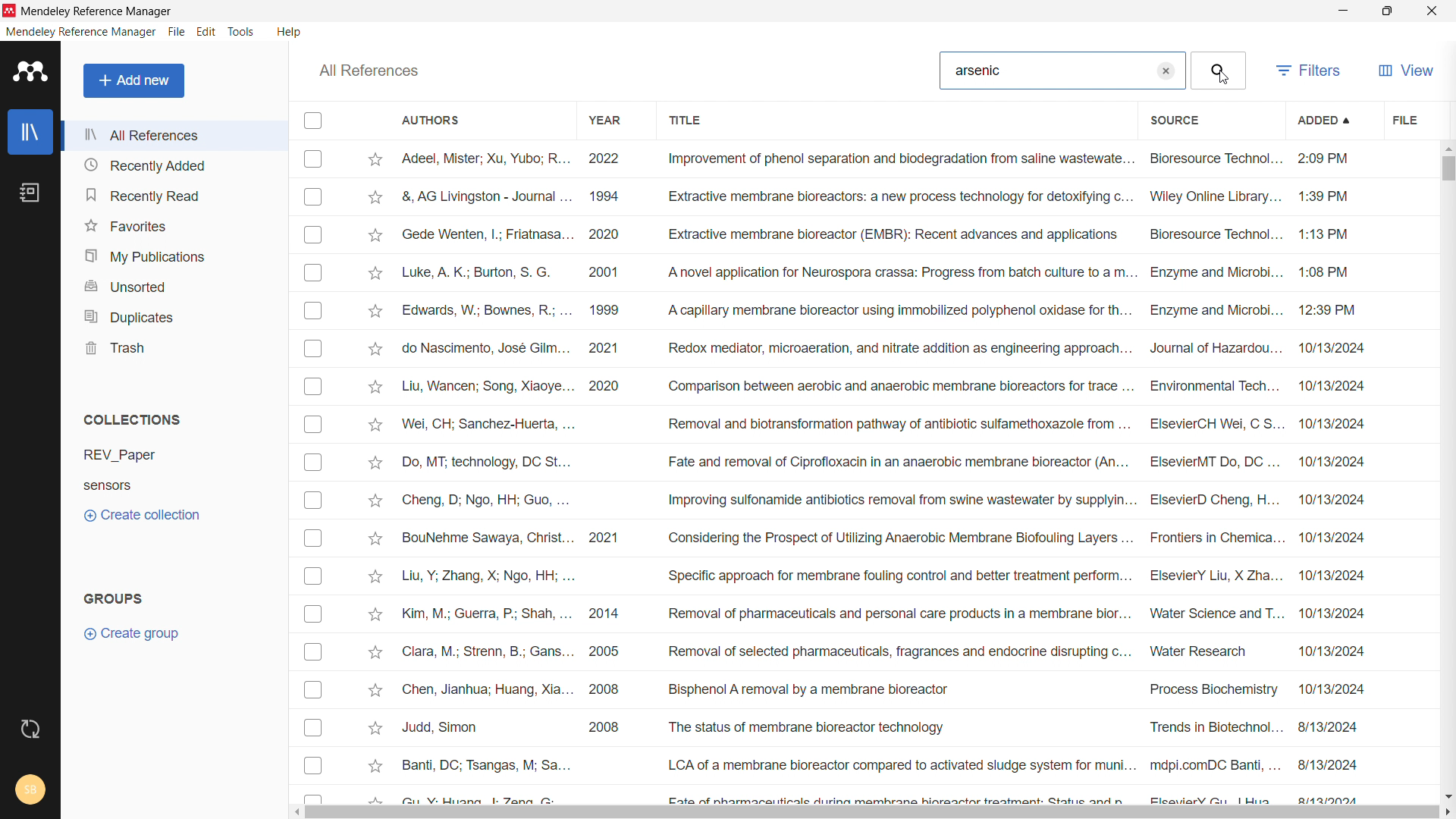 This screenshot has width=1456, height=819. What do you see at coordinates (374, 728) in the screenshot?
I see `Add to favorites` at bounding box center [374, 728].